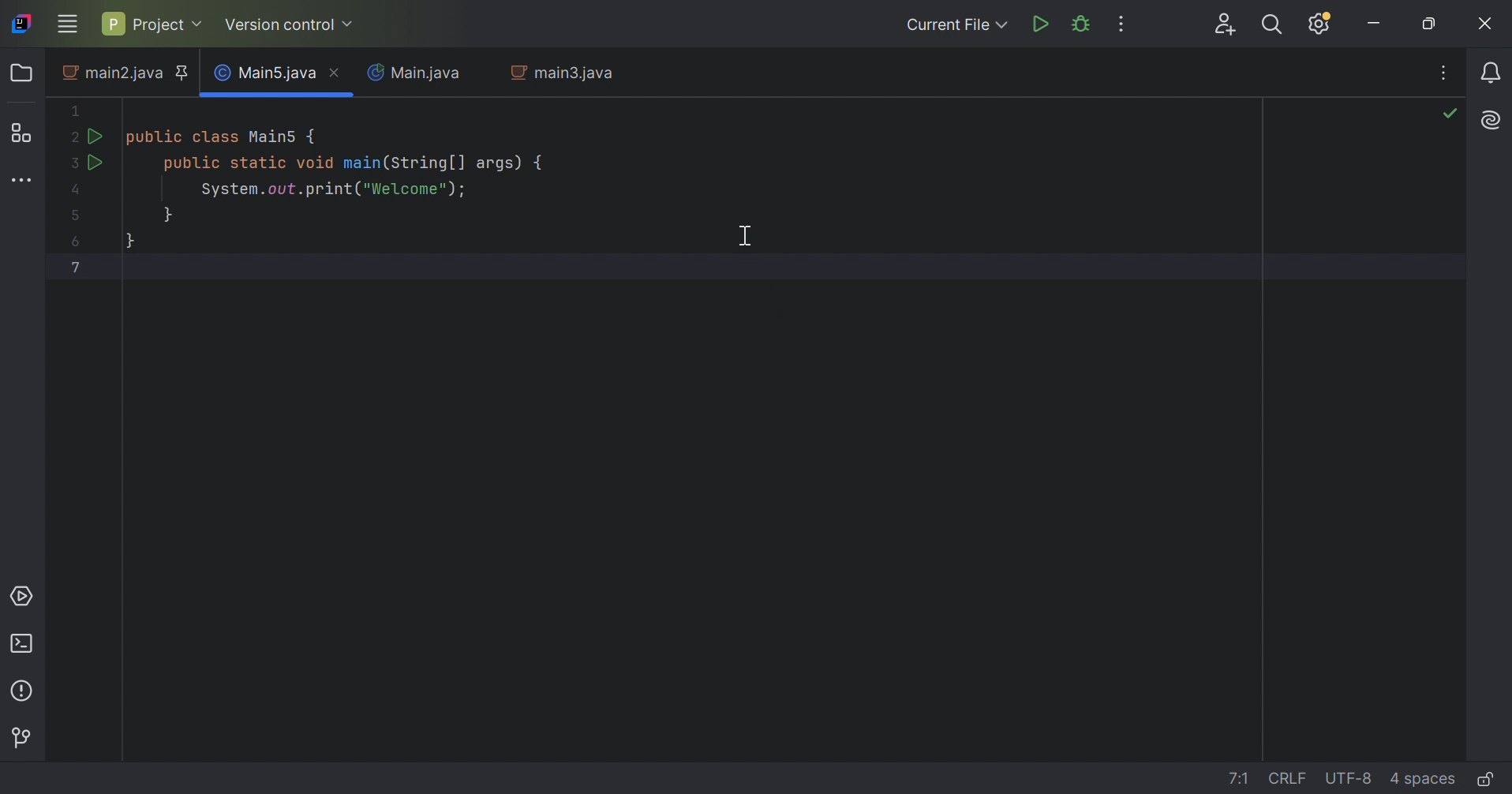 The height and width of the screenshot is (794, 1512). What do you see at coordinates (152, 24) in the screenshot?
I see `Project` at bounding box center [152, 24].